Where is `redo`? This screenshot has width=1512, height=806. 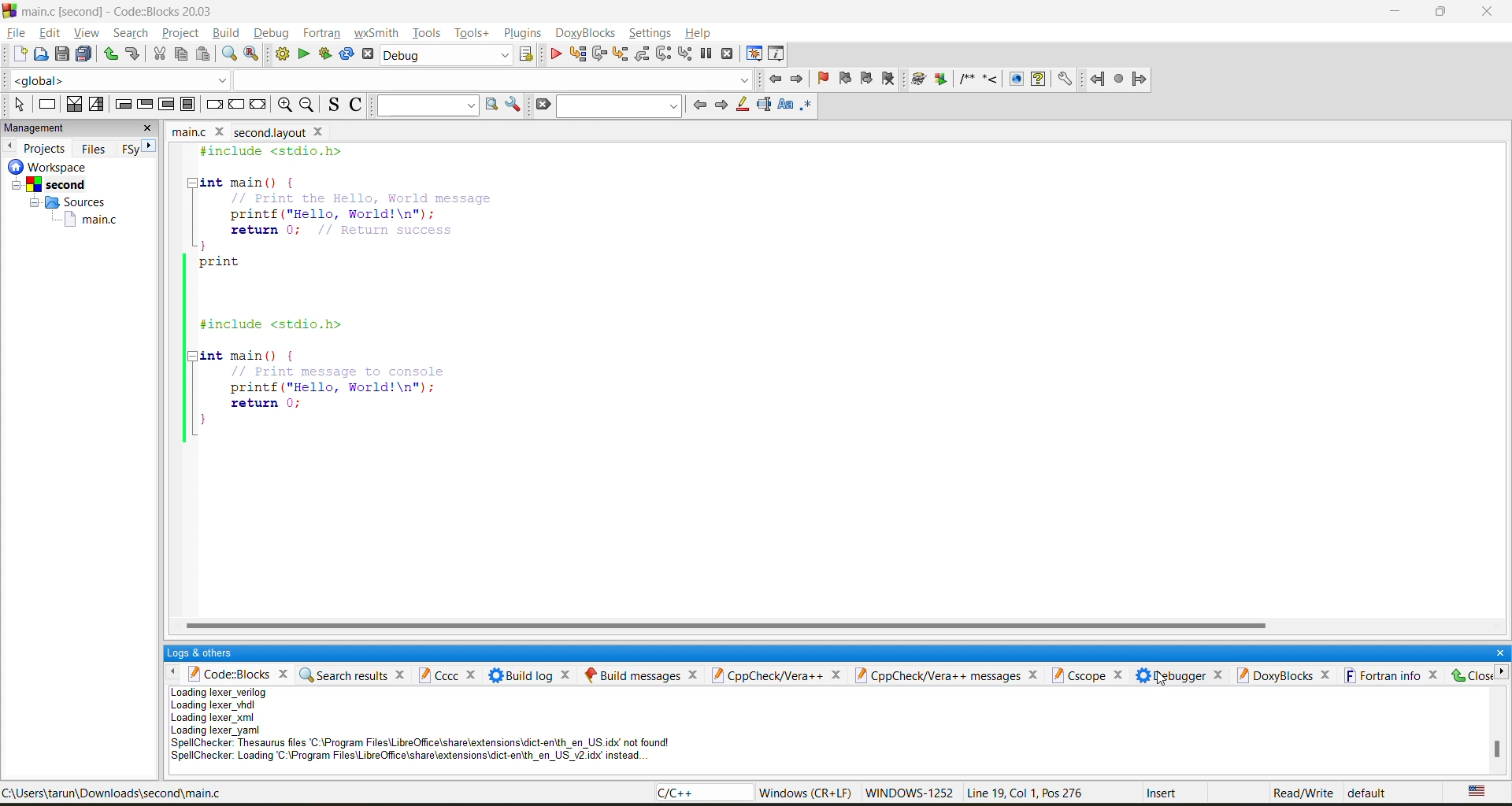 redo is located at coordinates (132, 54).